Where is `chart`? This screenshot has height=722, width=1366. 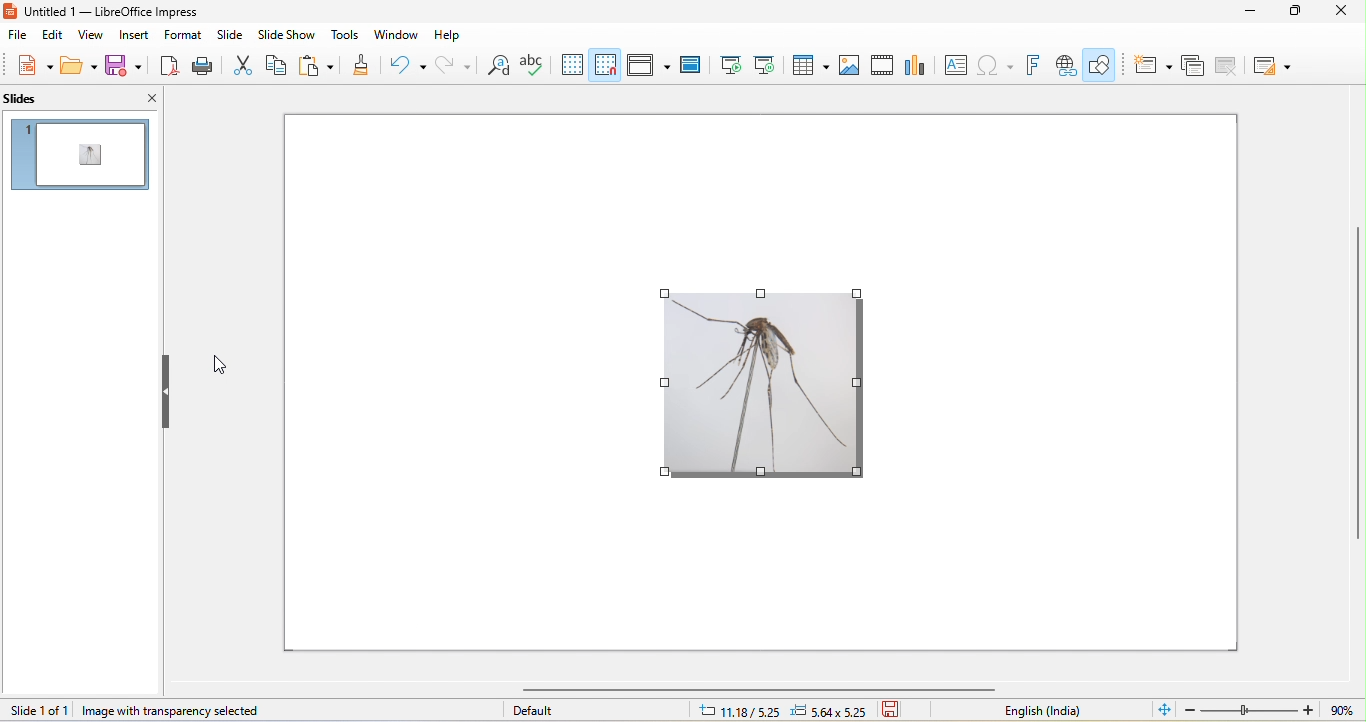
chart is located at coordinates (915, 66).